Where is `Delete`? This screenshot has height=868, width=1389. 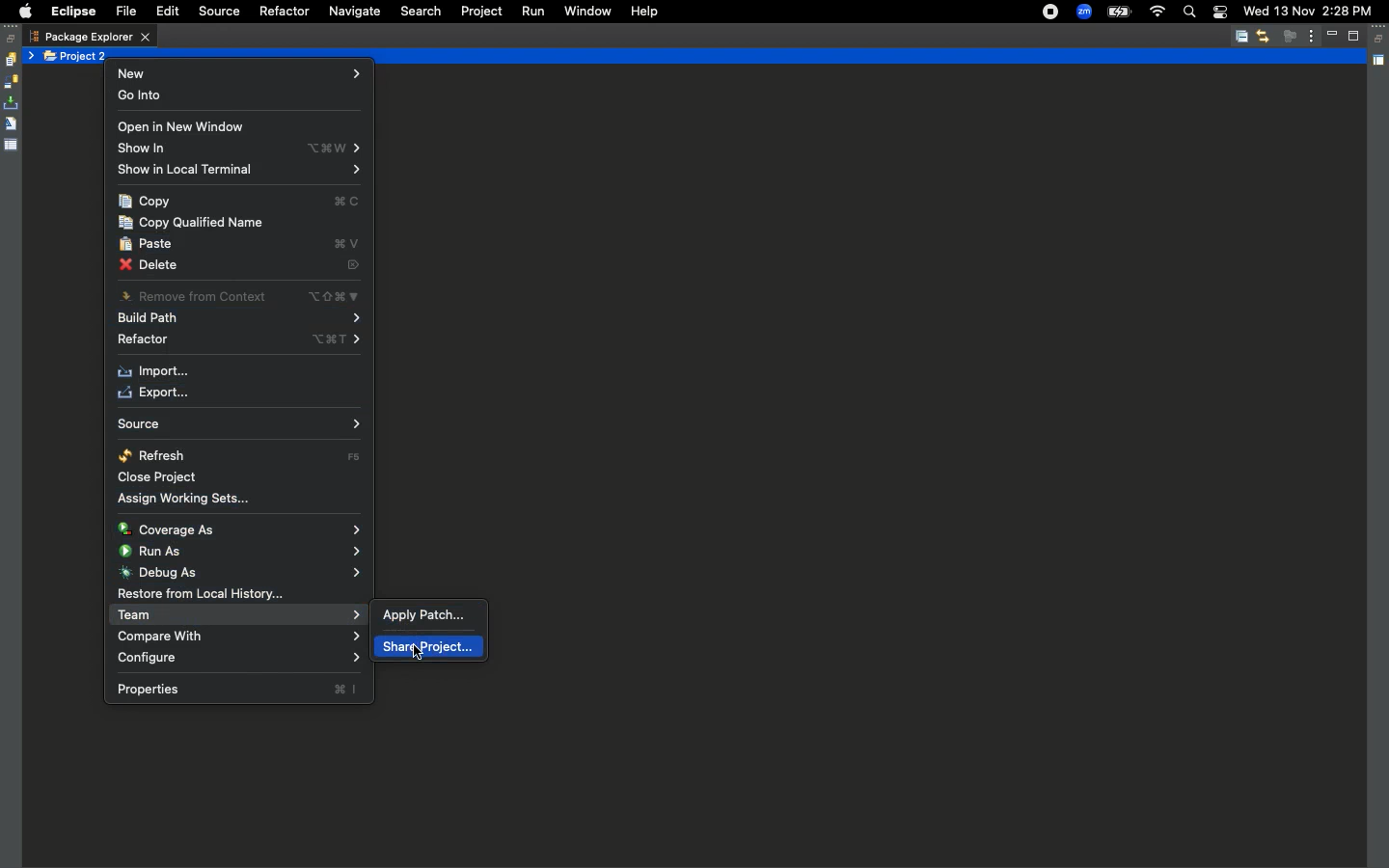 Delete is located at coordinates (239, 268).